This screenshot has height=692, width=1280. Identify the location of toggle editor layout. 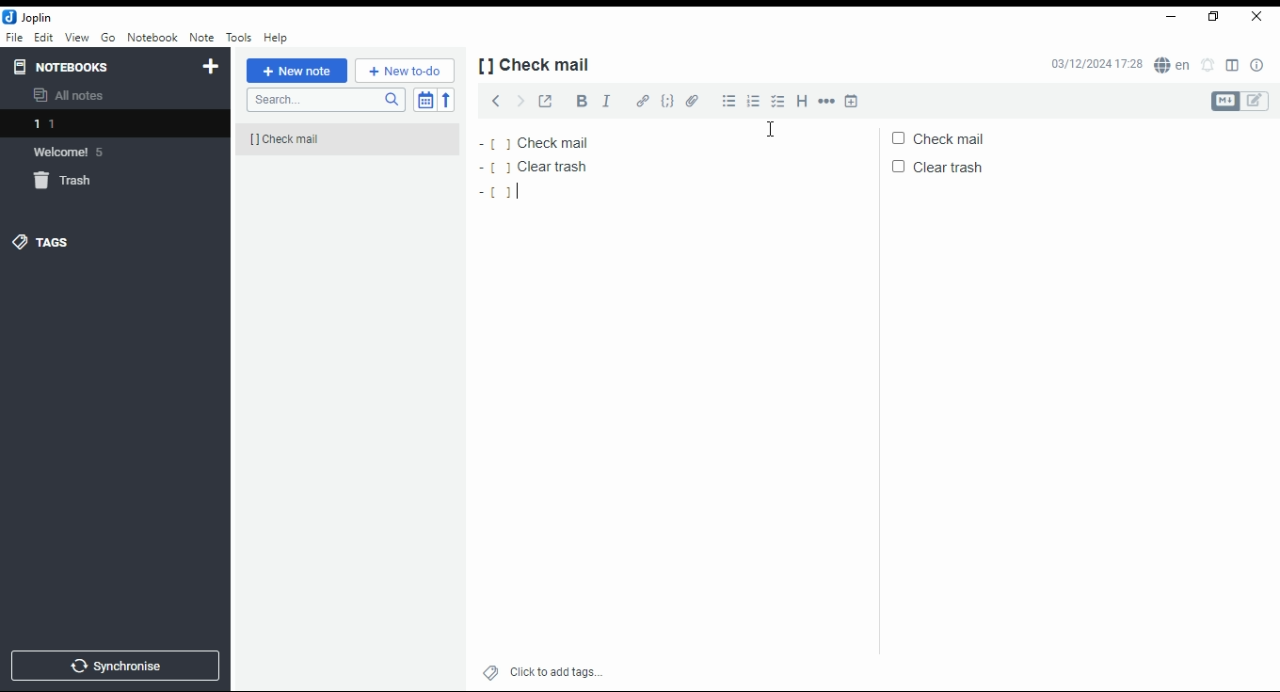
(1233, 63).